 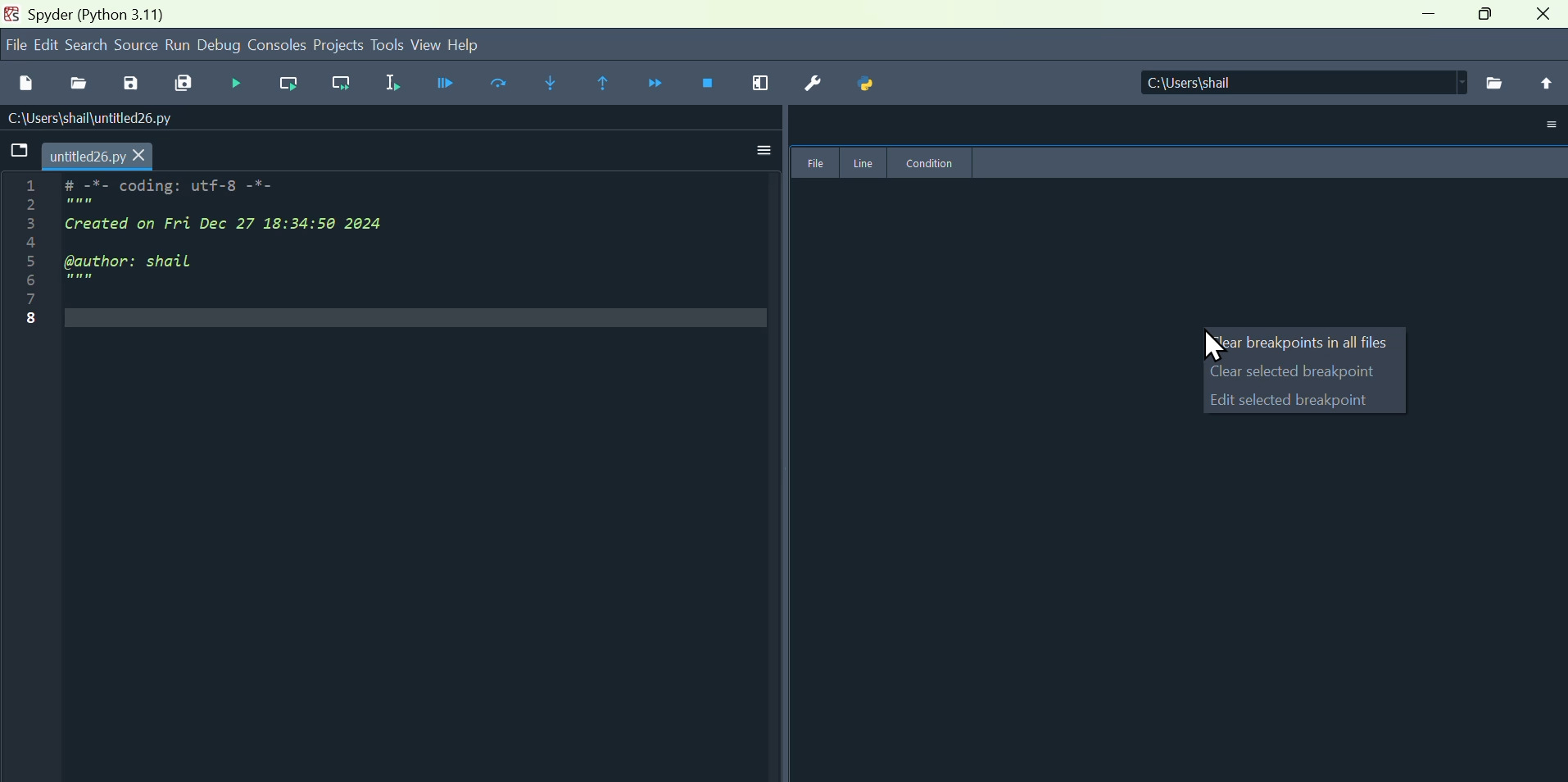 What do you see at coordinates (236, 259) in the screenshot?
I see `1 # -*- coding: utf-8 -*-

PR

3 Created on Fri Dec 27 18:34:50 2024
4

5  @author: shail

5 mmm

7:

8` at bounding box center [236, 259].